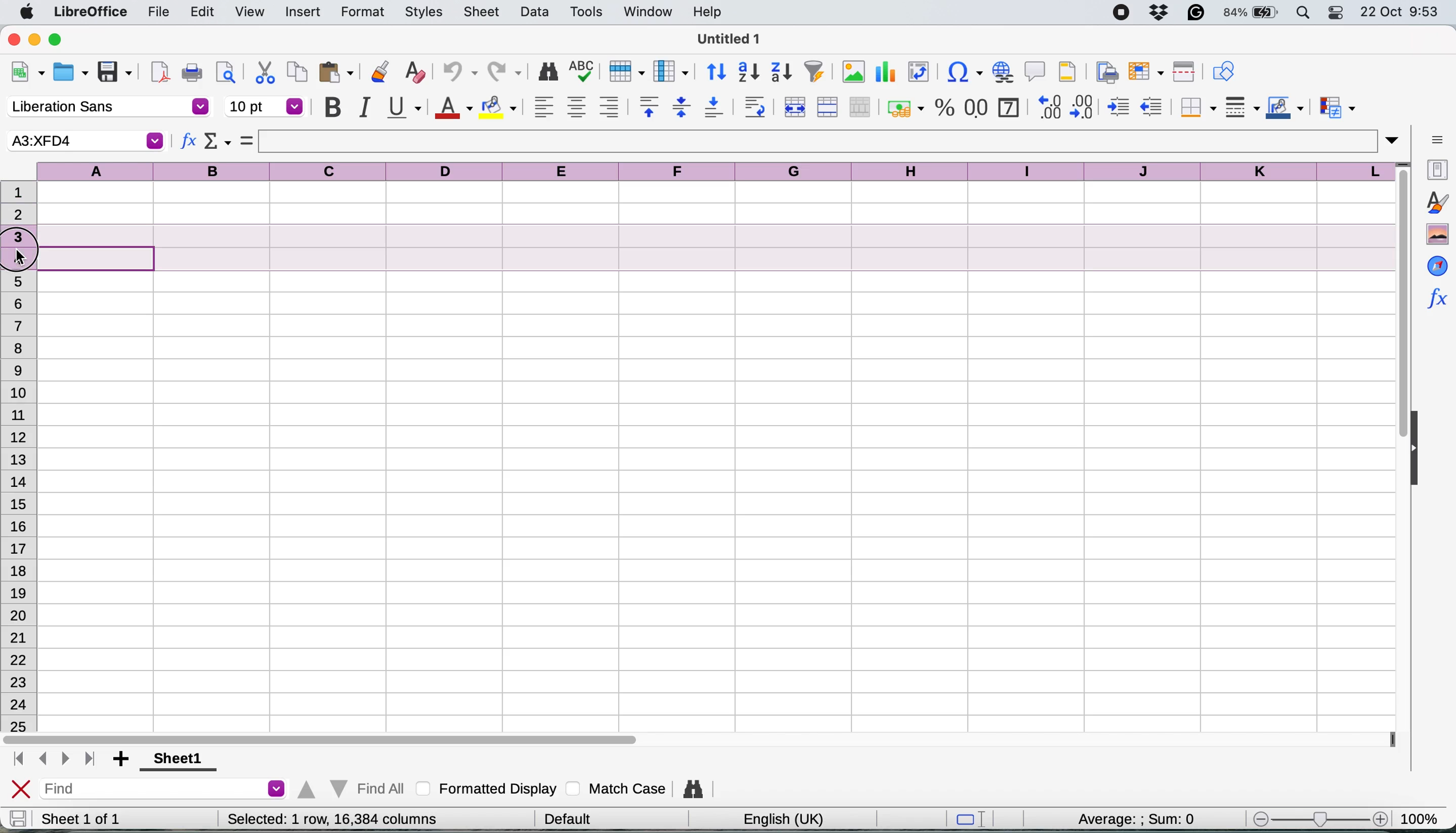 The width and height of the screenshot is (1456, 833). What do you see at coordinates (783, 819) in the screenshot?
I see `english uk` at bounding box center [783, 819].